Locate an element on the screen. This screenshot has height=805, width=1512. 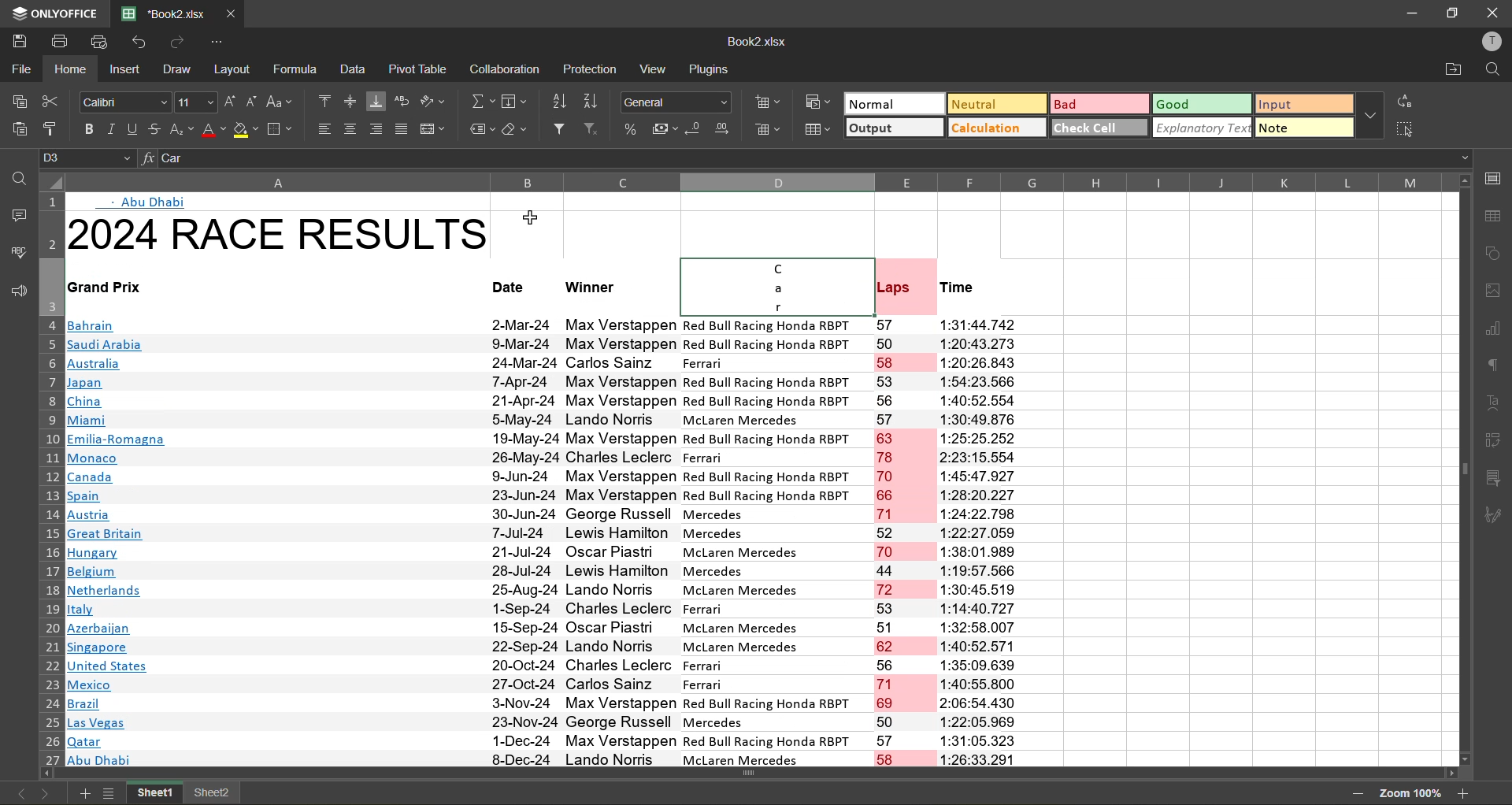
paste is located at coordinates (18, 131).